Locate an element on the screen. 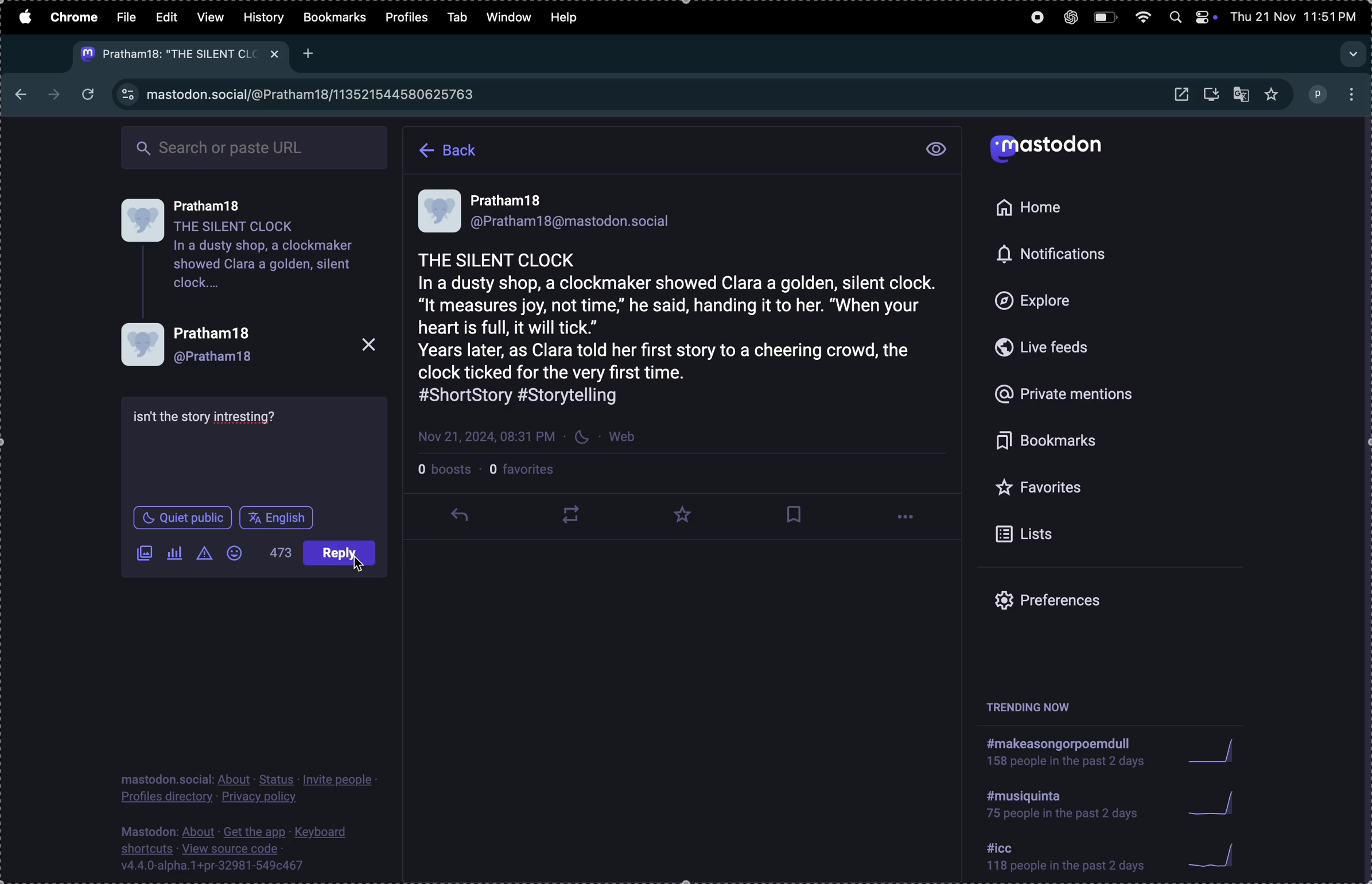 Image resolution: width=1372 pixels, height=884 pixels. hashtag is located at coordinates (1067, 803).